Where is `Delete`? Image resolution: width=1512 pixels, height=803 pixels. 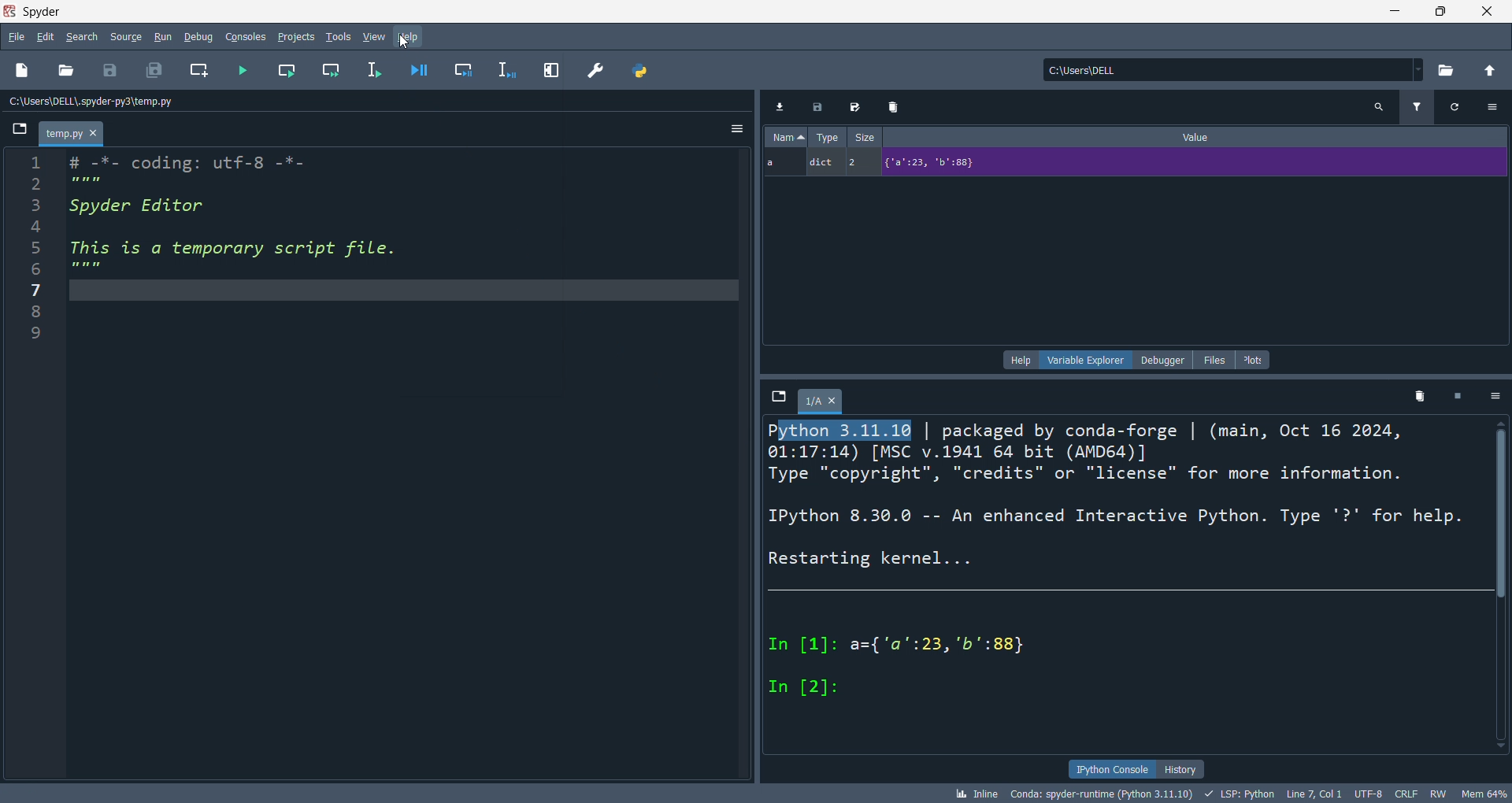 Delete is located at coordinates (894, 108).